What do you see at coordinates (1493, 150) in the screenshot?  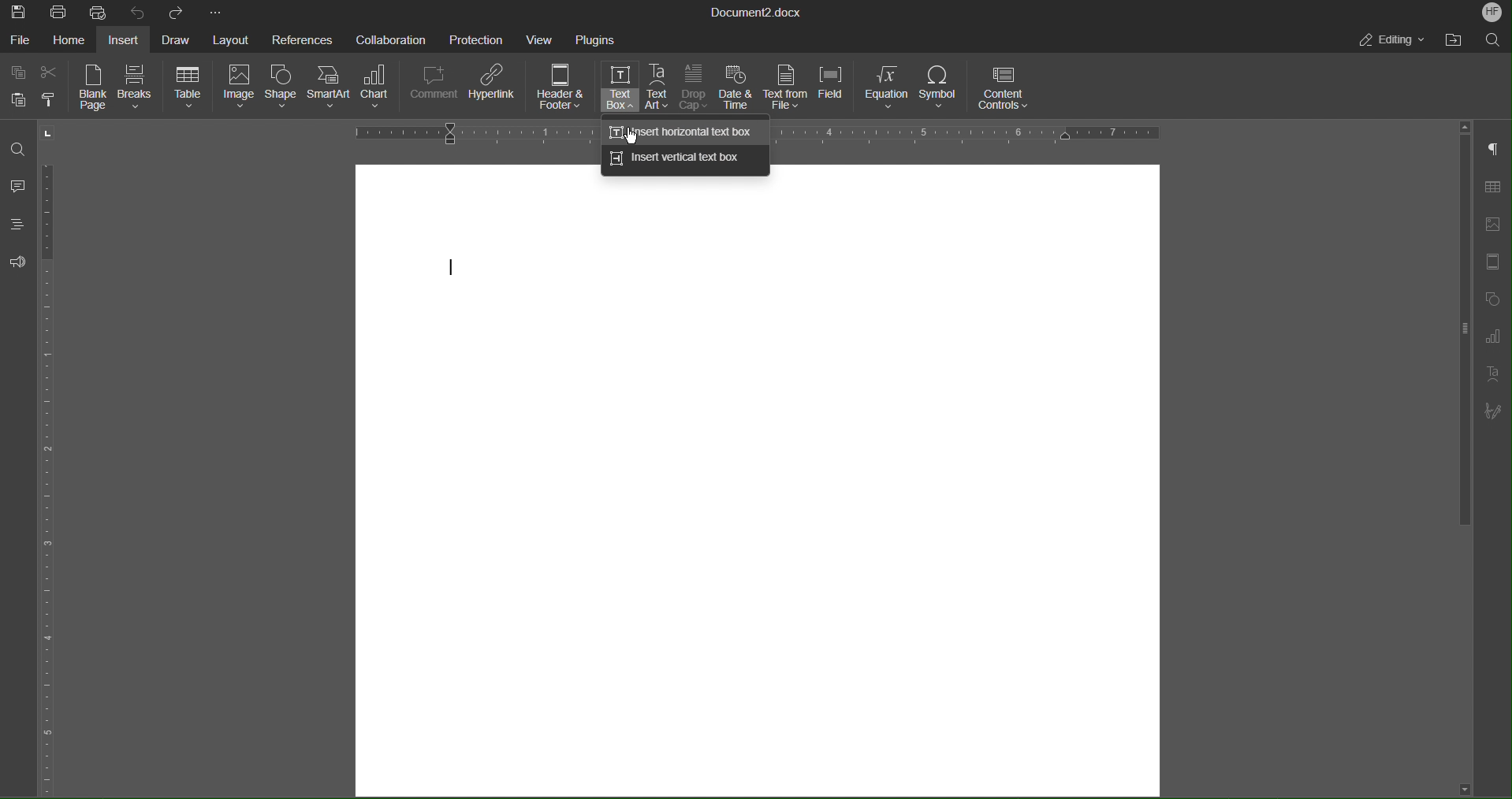 I see `Paragraph Settings` at bounding box center [1493, 150].